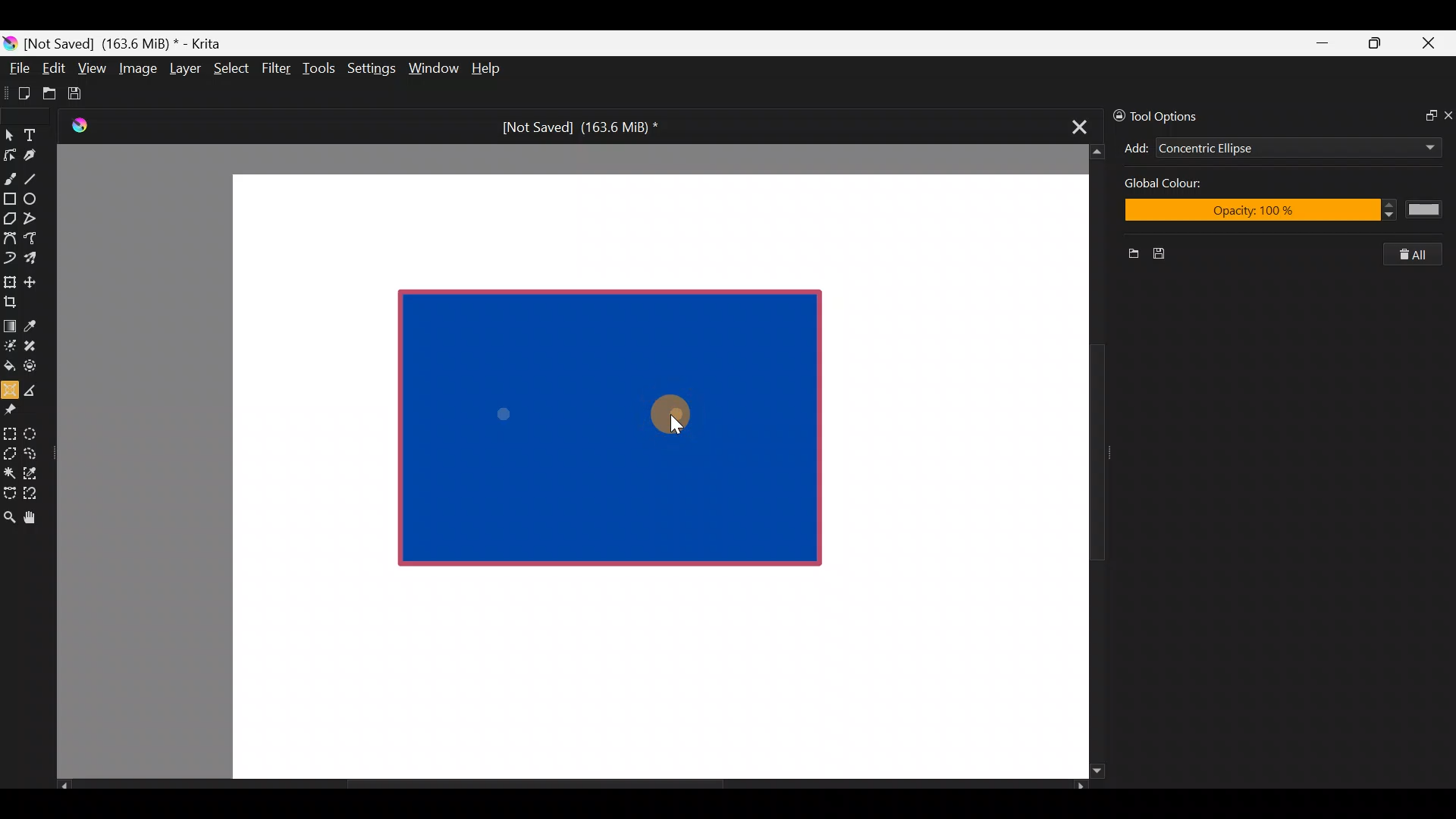 Image resolution: width=1456 pixels, height=819 pixels. What do you see at coordinates (130, 42) in the screenshot?
I see `[Not Saved] (163.6 MiB) * - Krita` at bounding box center [130, 42].